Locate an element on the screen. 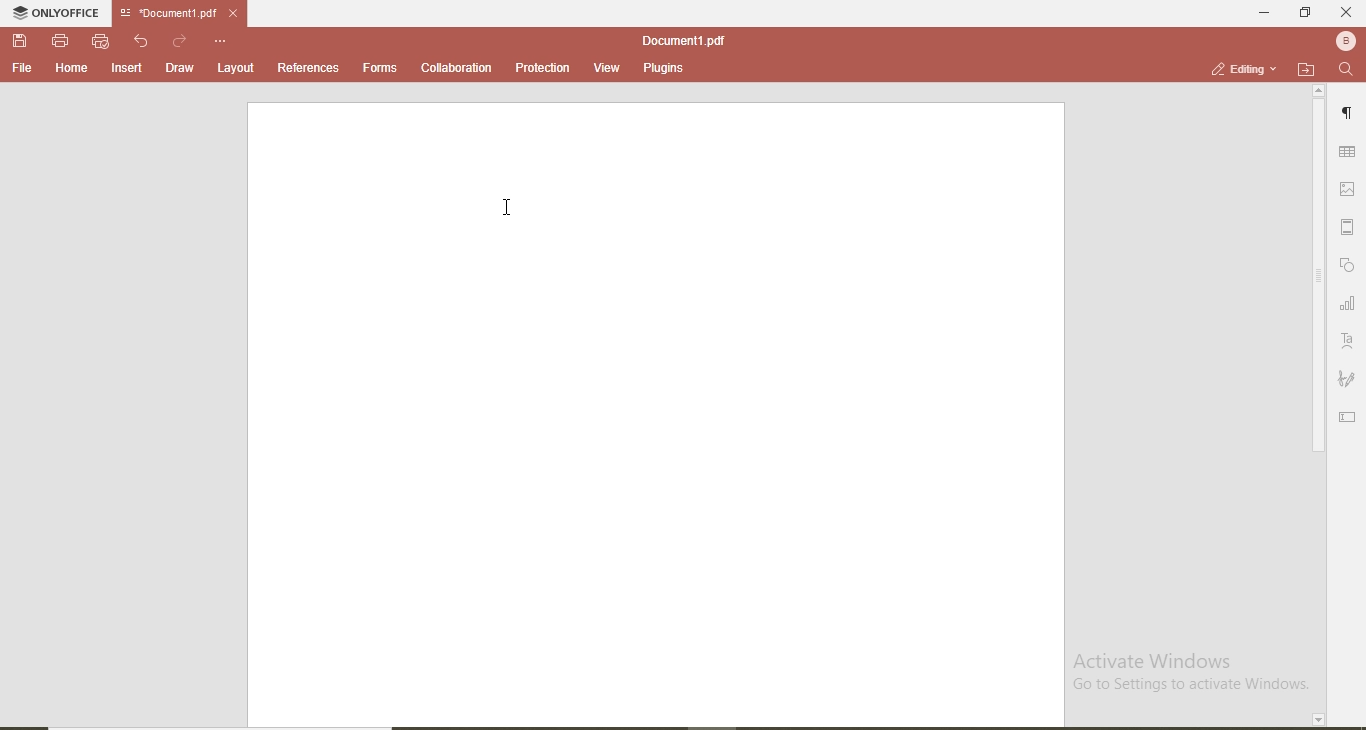 This screenshot has width=1366, height=730. open file loaction is located at coordinates (1302, 68).